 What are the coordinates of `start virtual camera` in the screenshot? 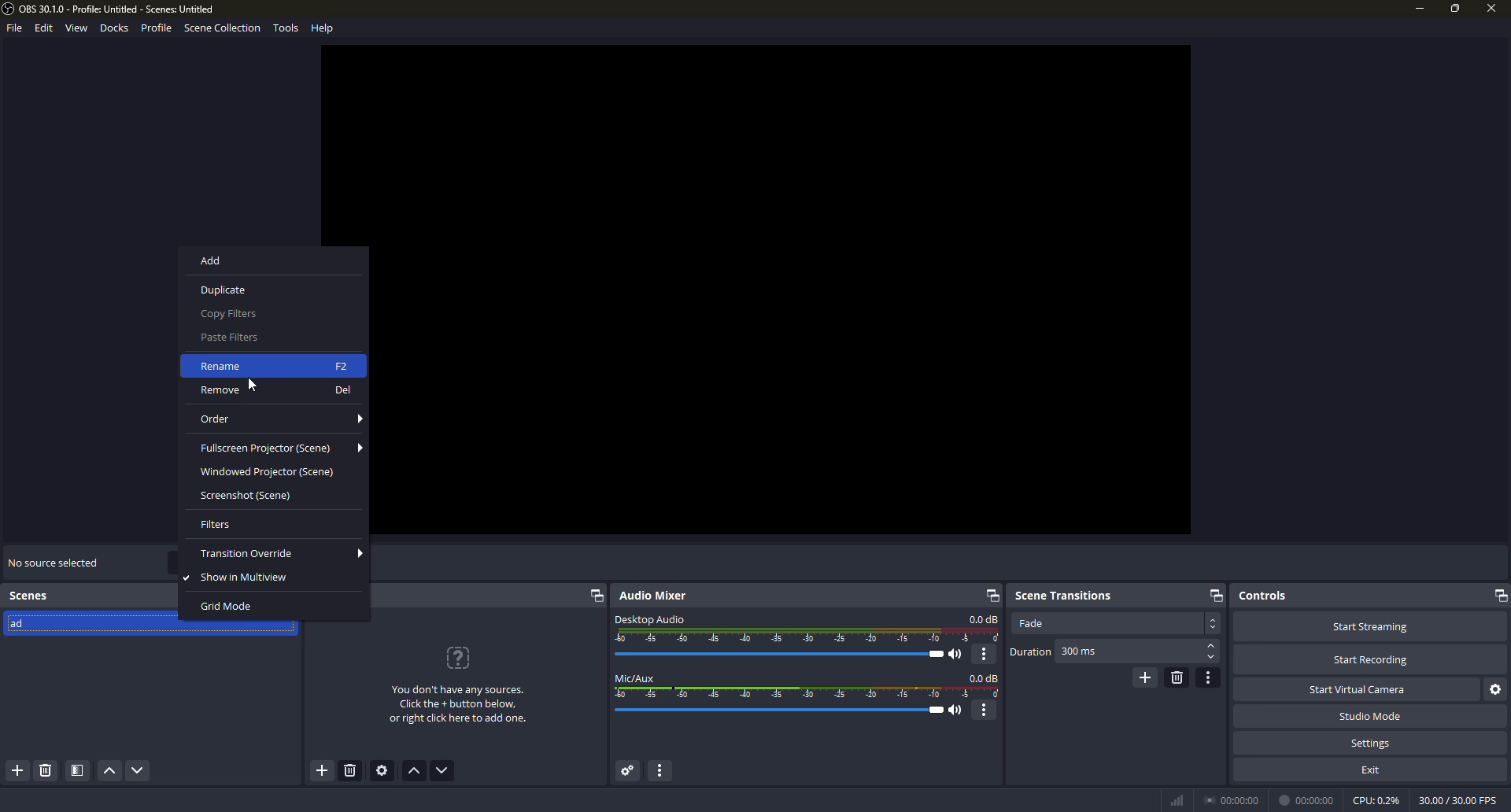 It's located at (1361, 688).